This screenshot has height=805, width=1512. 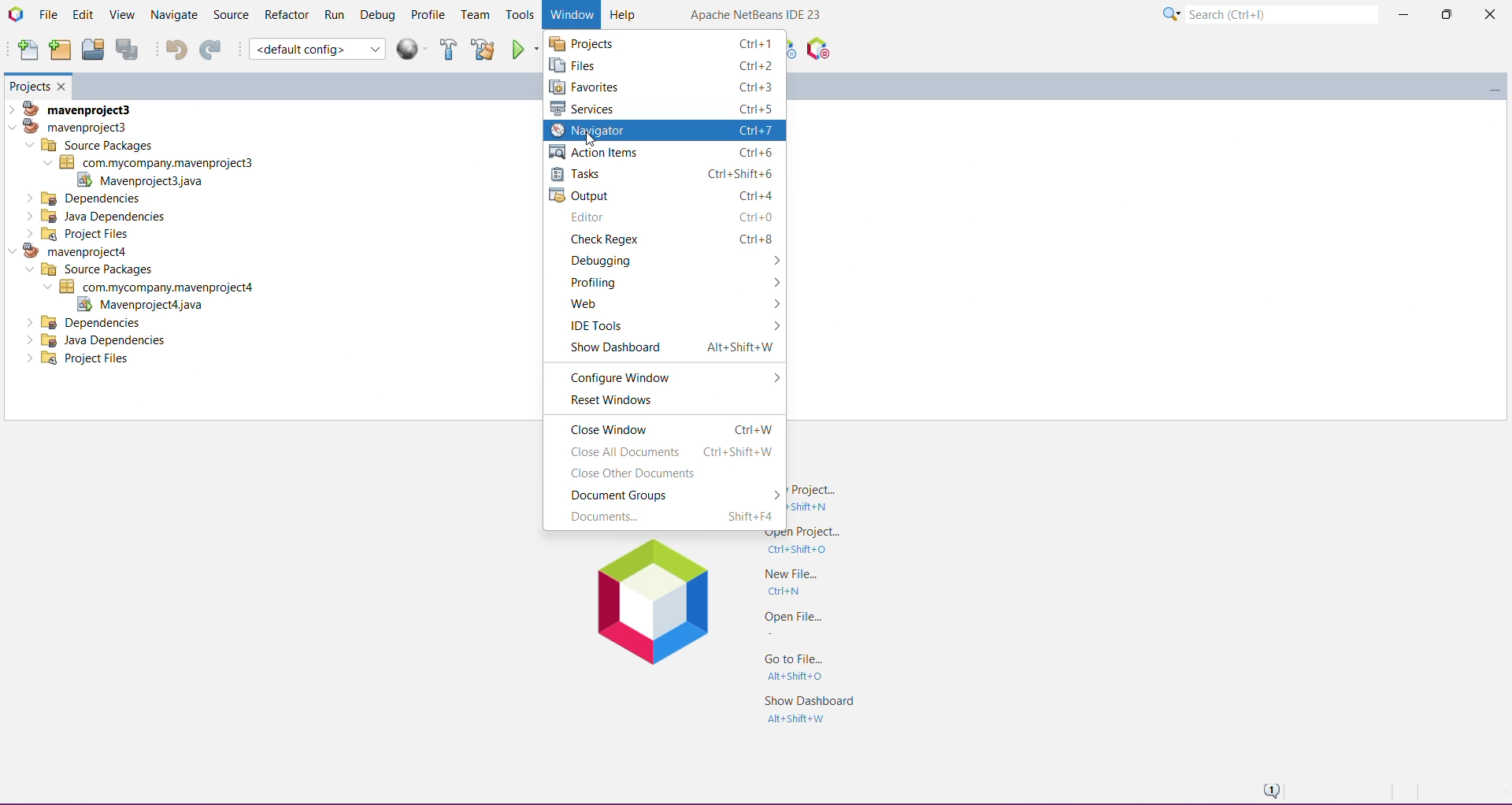 I want to click on Files, so click(x=664, y=65).